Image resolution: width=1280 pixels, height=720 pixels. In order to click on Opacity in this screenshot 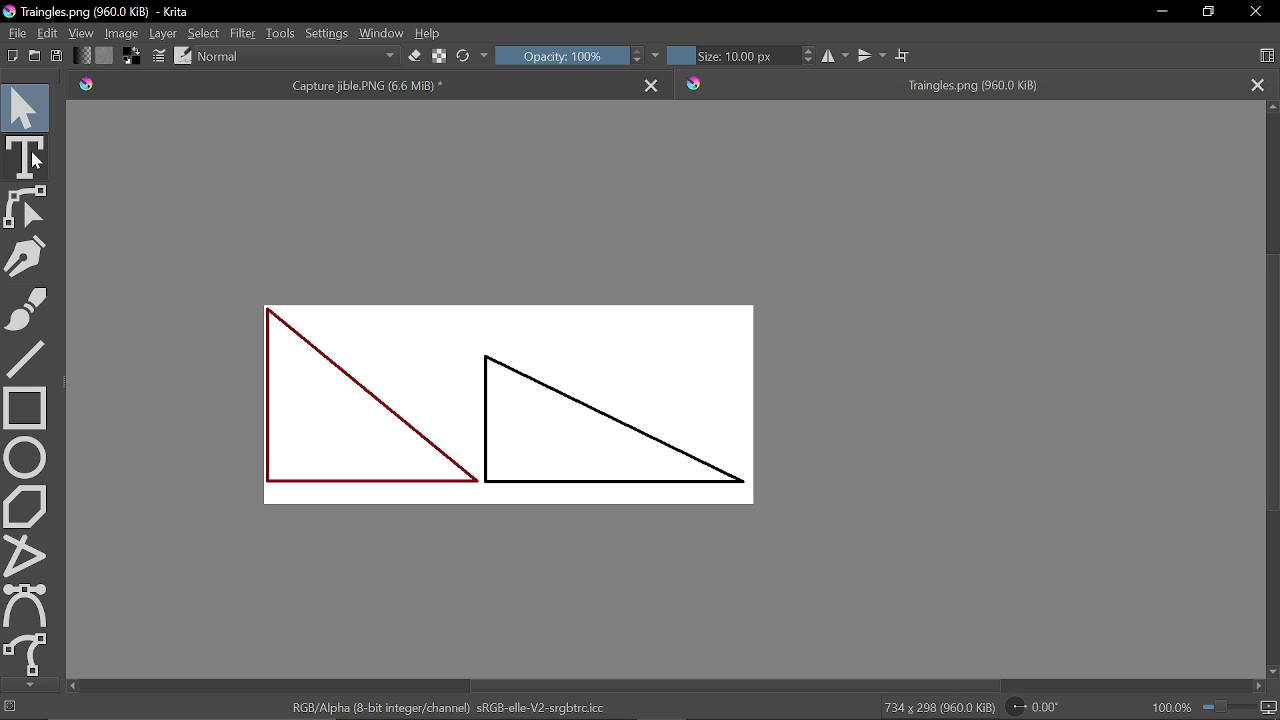, I will do `click(561, 55)`.